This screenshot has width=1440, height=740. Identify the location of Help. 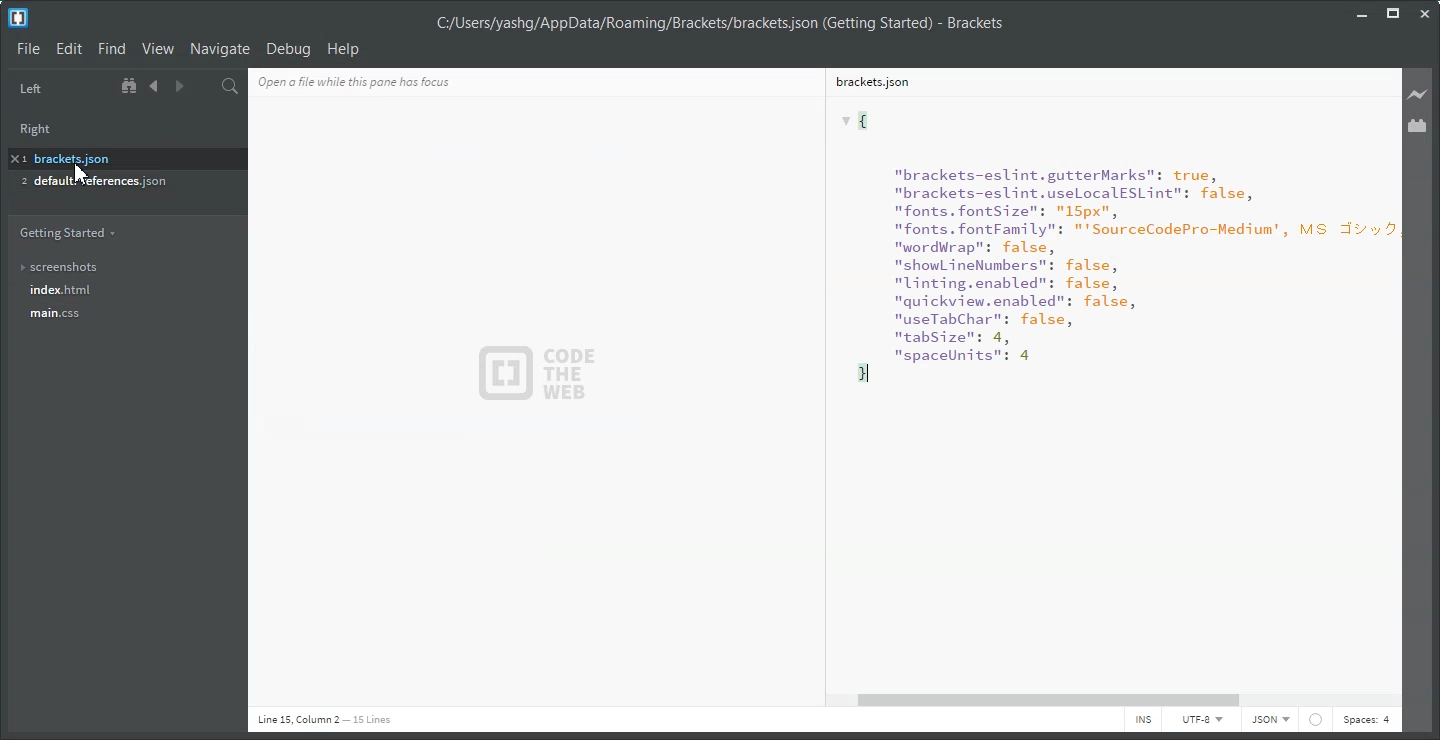
(344, 48).